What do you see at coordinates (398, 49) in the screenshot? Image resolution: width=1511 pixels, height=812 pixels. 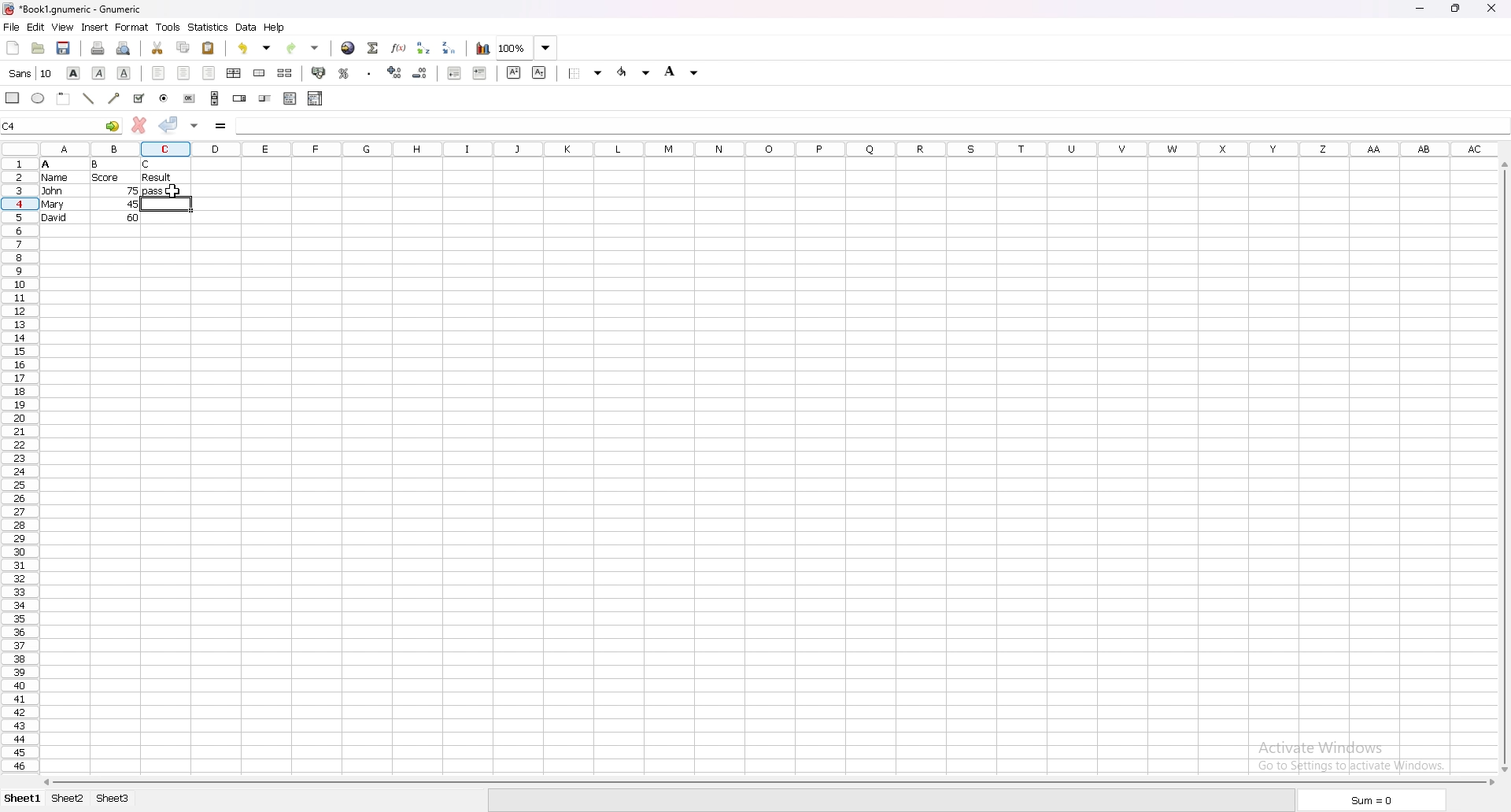 I see `function` at bounding box center [398, 49].